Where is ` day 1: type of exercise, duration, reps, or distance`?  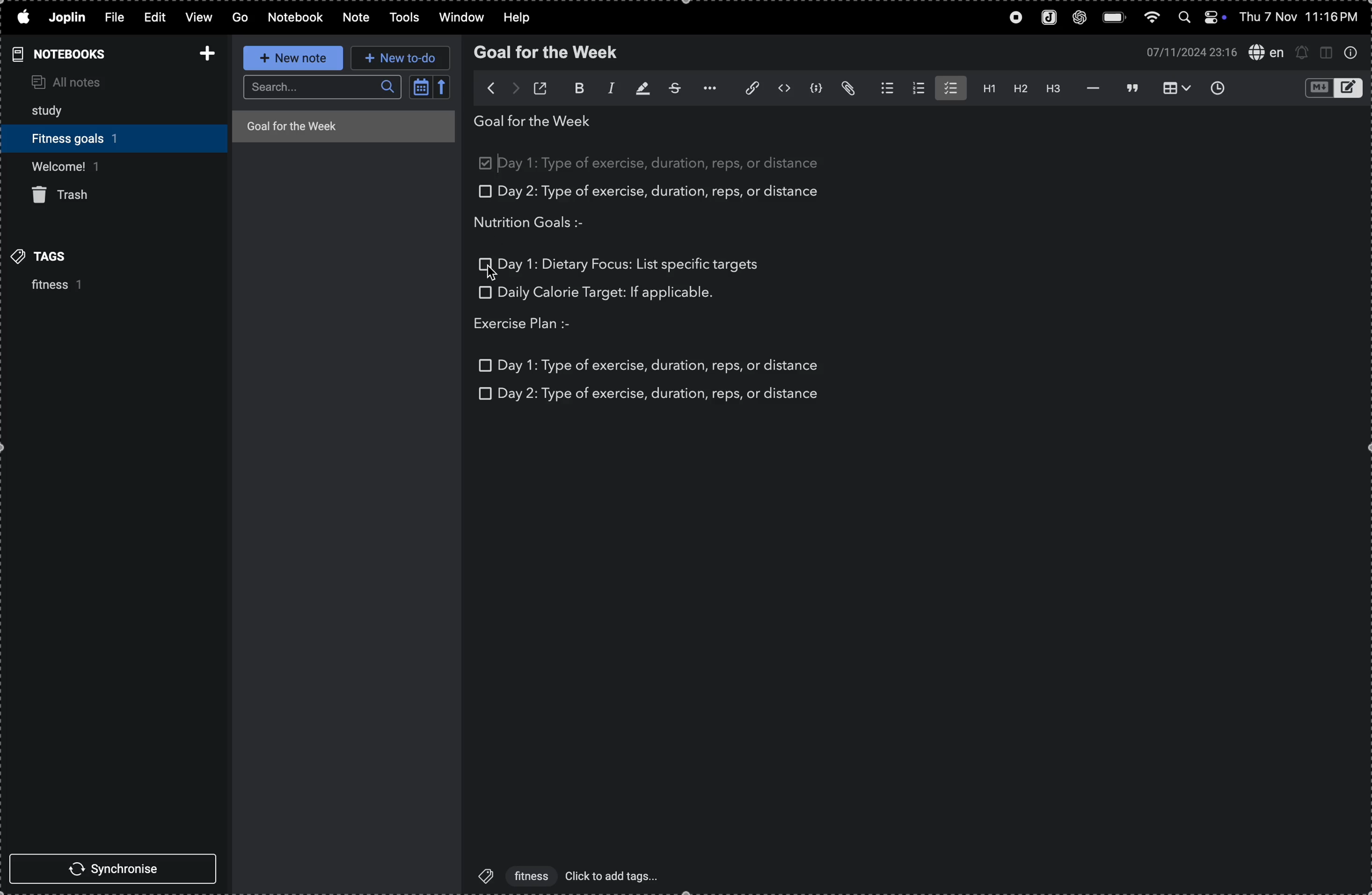
 day 1: type of exercise, duration, reps, or distance is located at coordinates (666, 163).